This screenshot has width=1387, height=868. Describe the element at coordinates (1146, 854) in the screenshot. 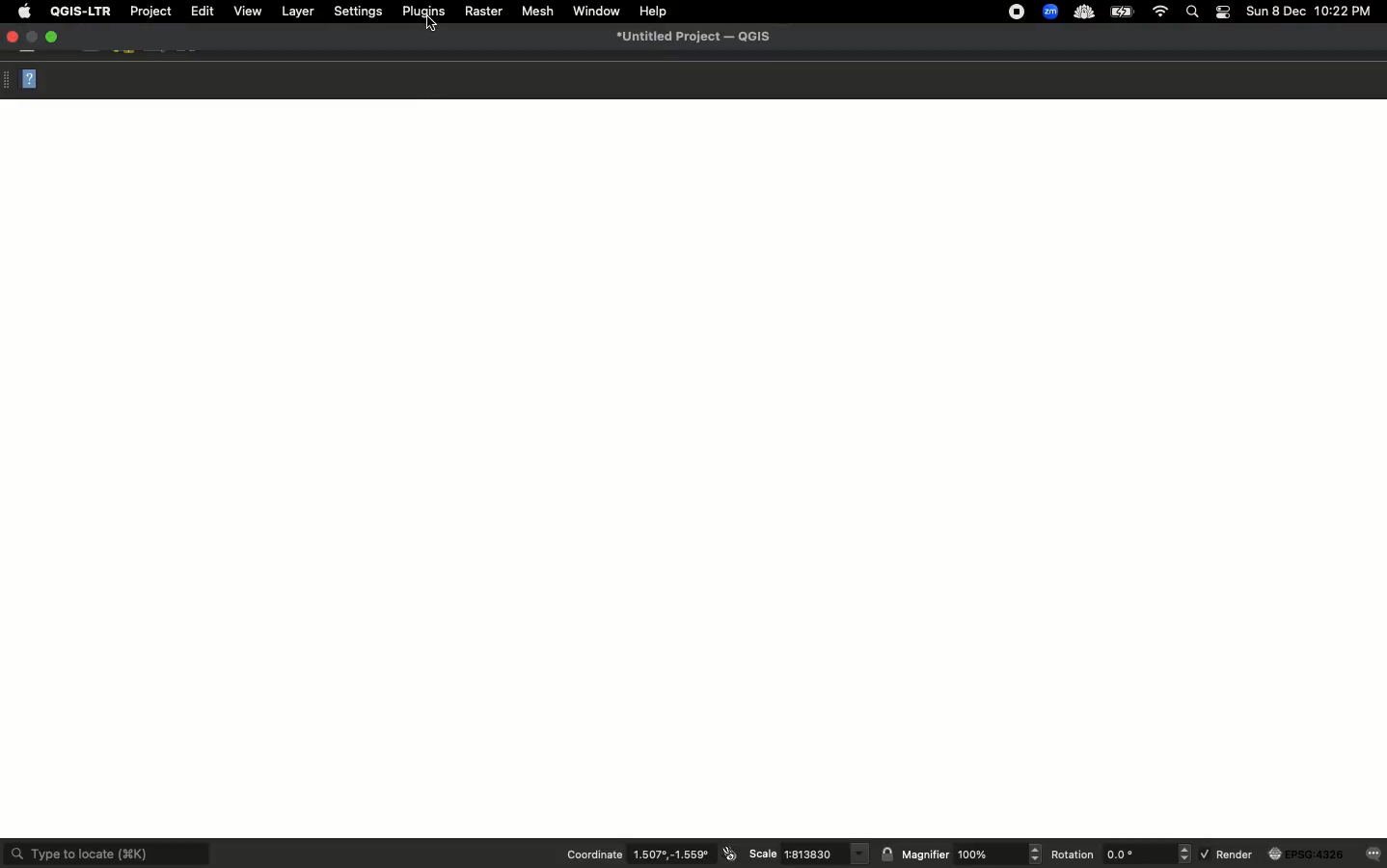

I see `Rotation` at that location.